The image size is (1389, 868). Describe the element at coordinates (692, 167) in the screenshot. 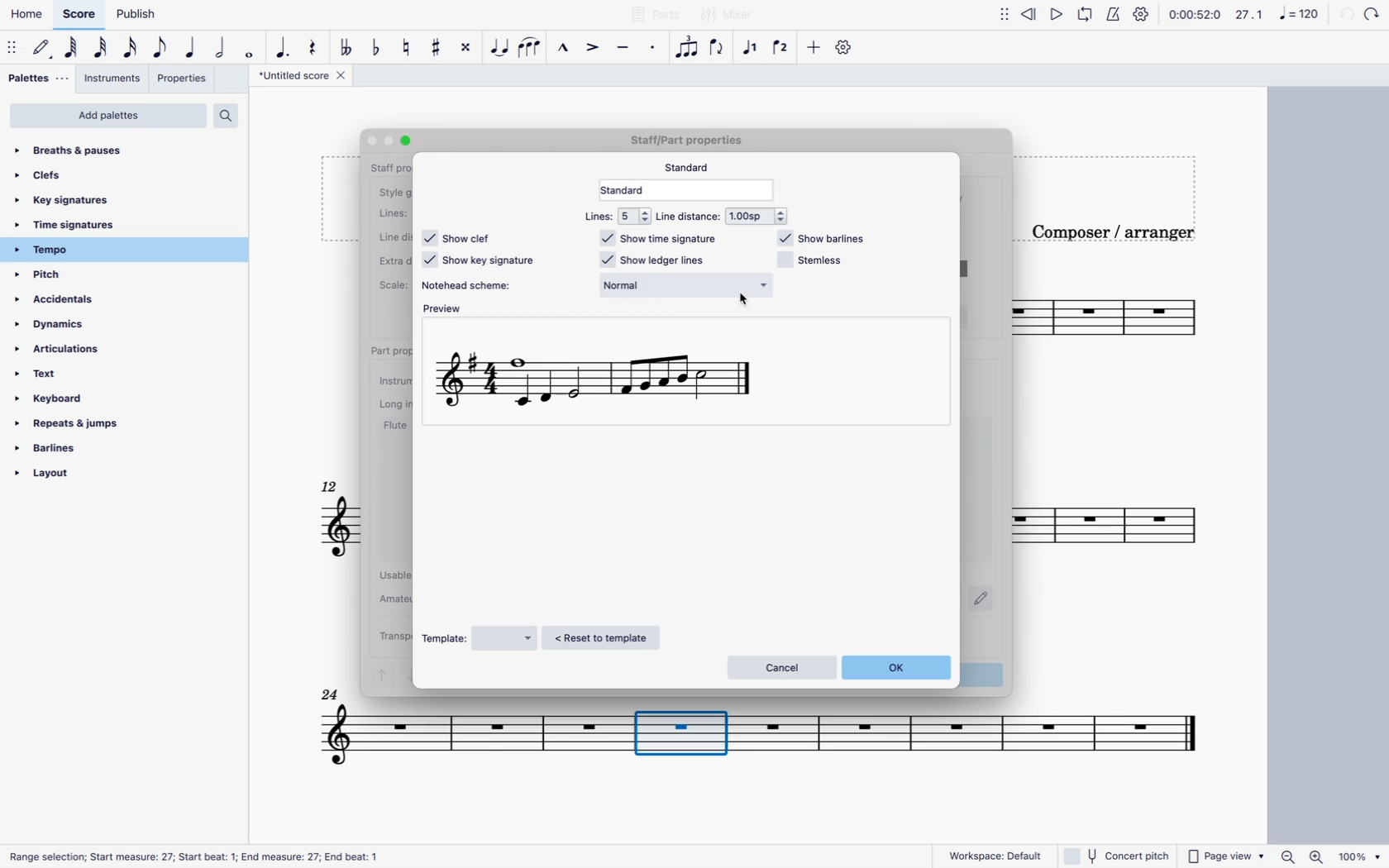

I see `standard` at that location.